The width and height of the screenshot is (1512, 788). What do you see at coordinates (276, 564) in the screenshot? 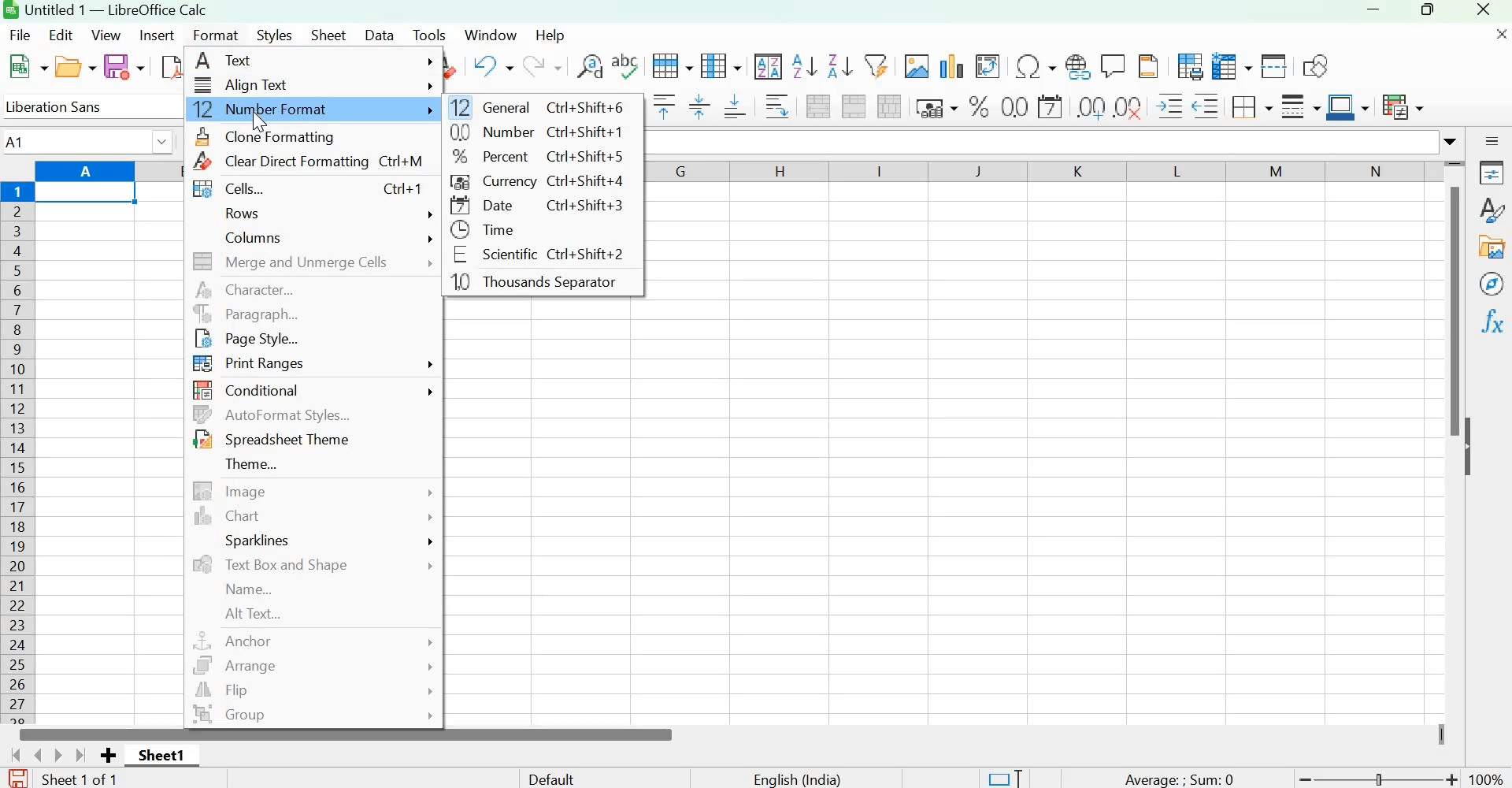
I see `Text Box and Shape` at bounding box center [276, 564].